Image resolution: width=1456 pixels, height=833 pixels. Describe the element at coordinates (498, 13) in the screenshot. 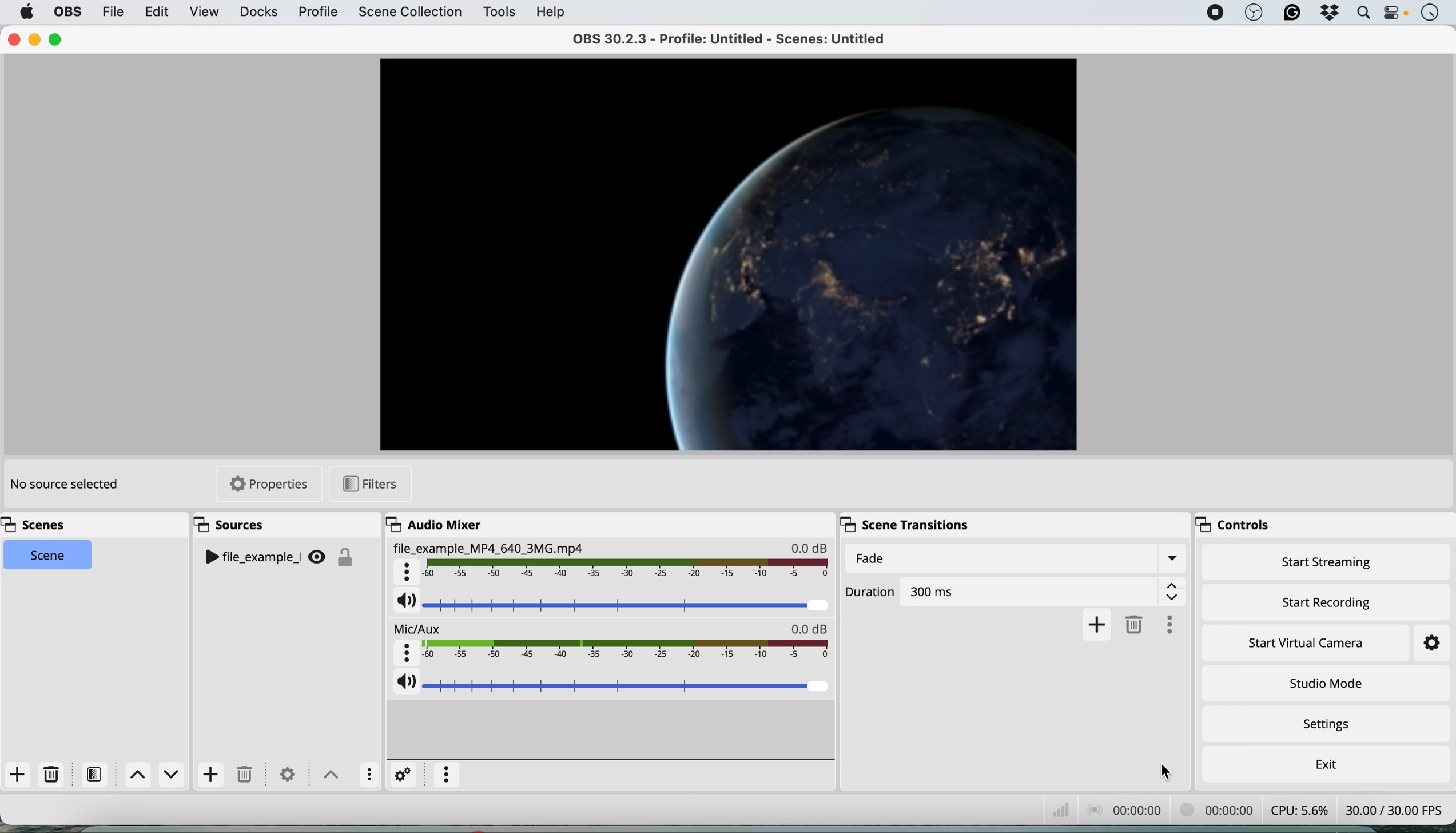

I see `tools` at that location.